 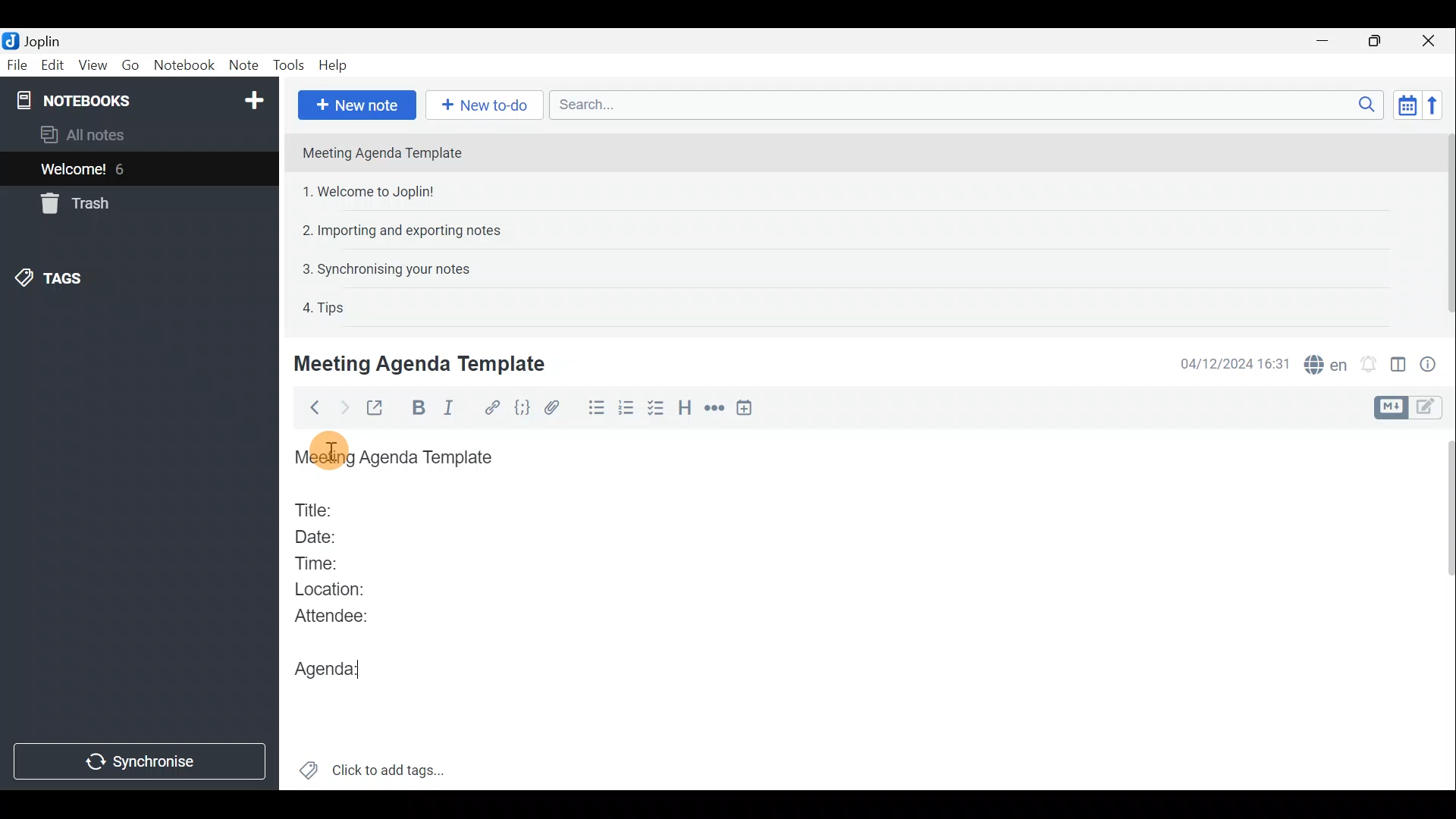 What do you see at coordinates (1429, 409) in the screenshot?
I see `Toggle editors` at bounding box center [1429, 409].